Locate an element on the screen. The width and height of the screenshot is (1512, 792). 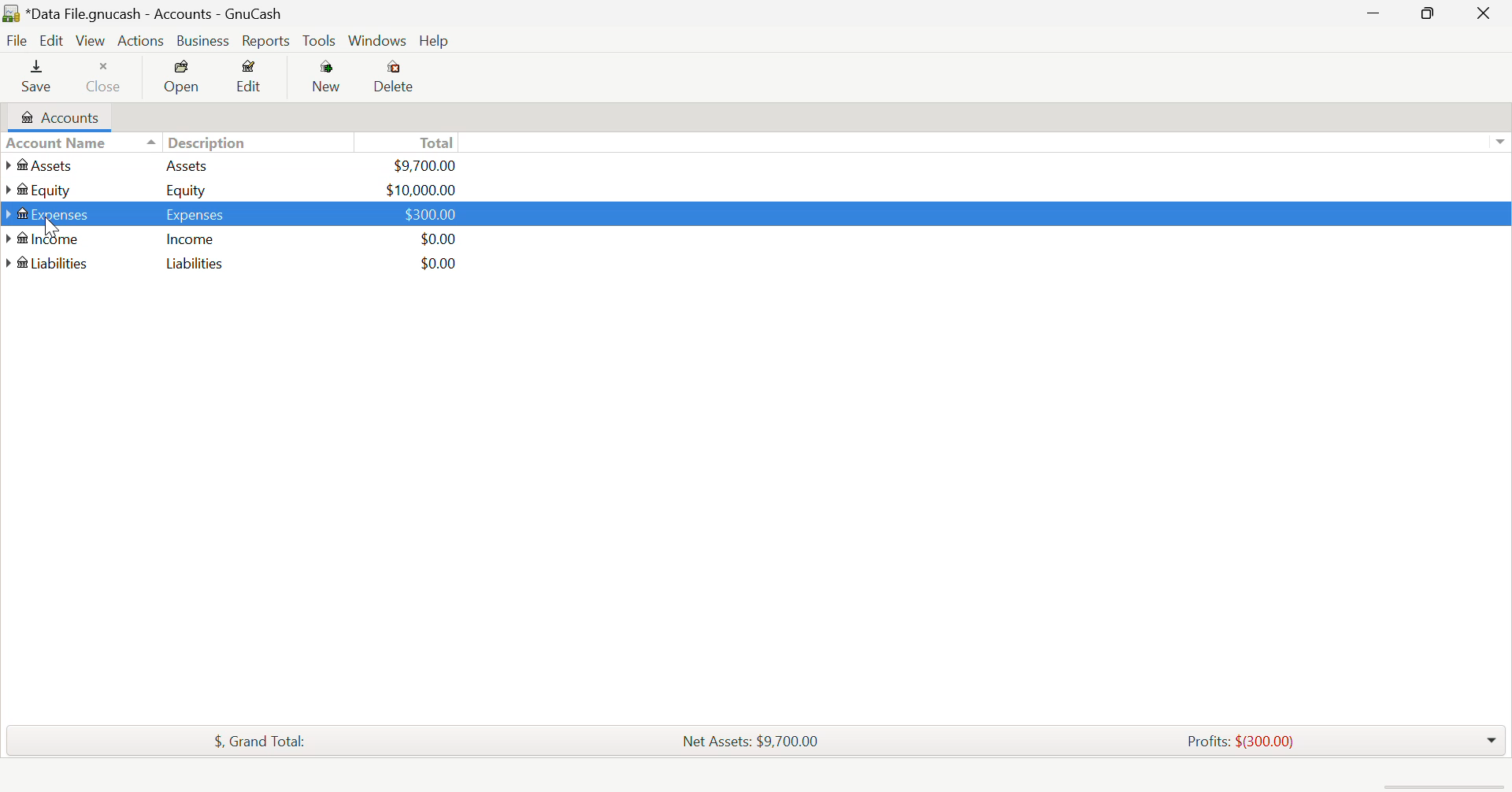
Edit is located at coordinates (254, 78).